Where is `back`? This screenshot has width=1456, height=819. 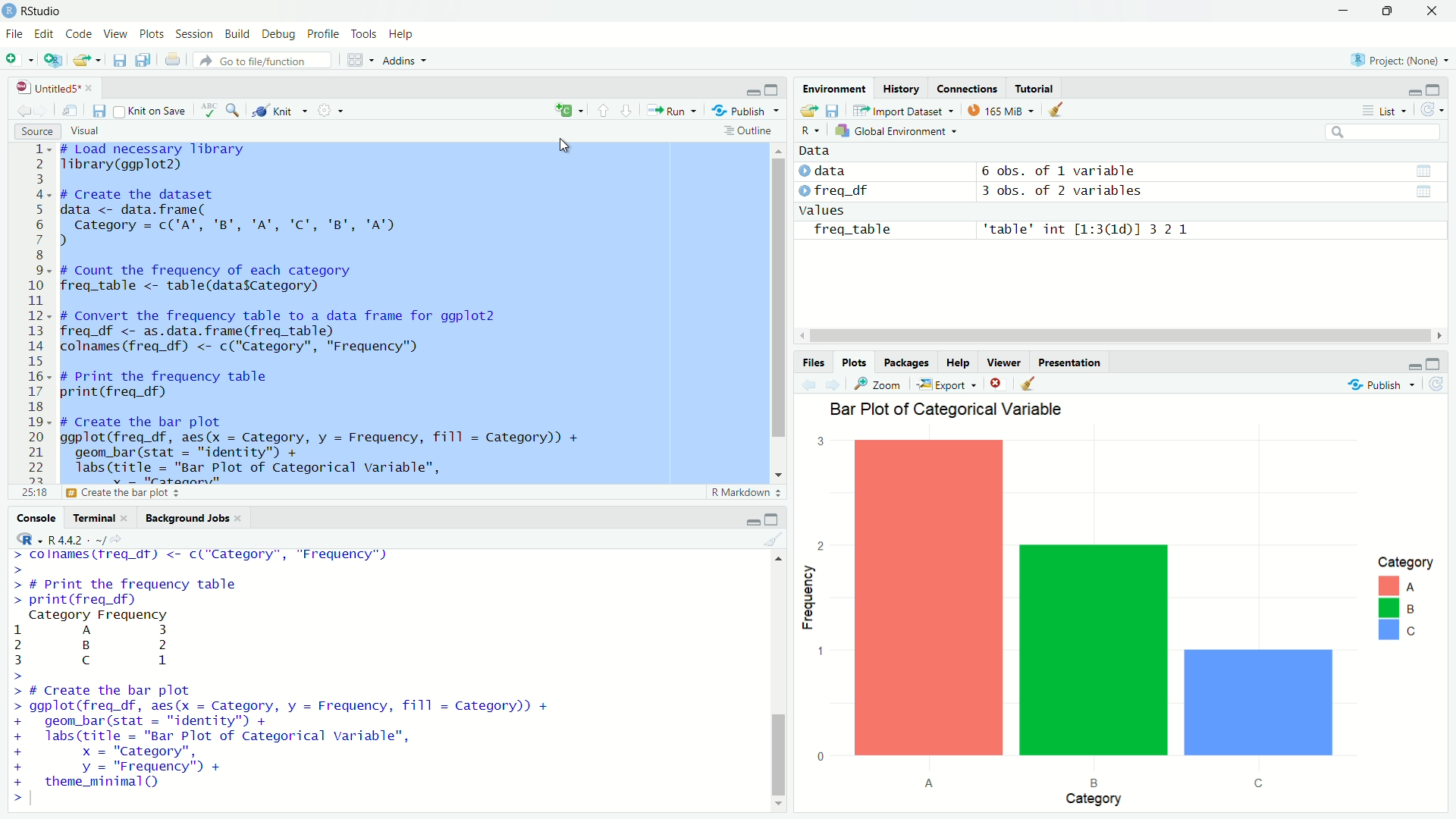
back is located at coordinates (812, 385).